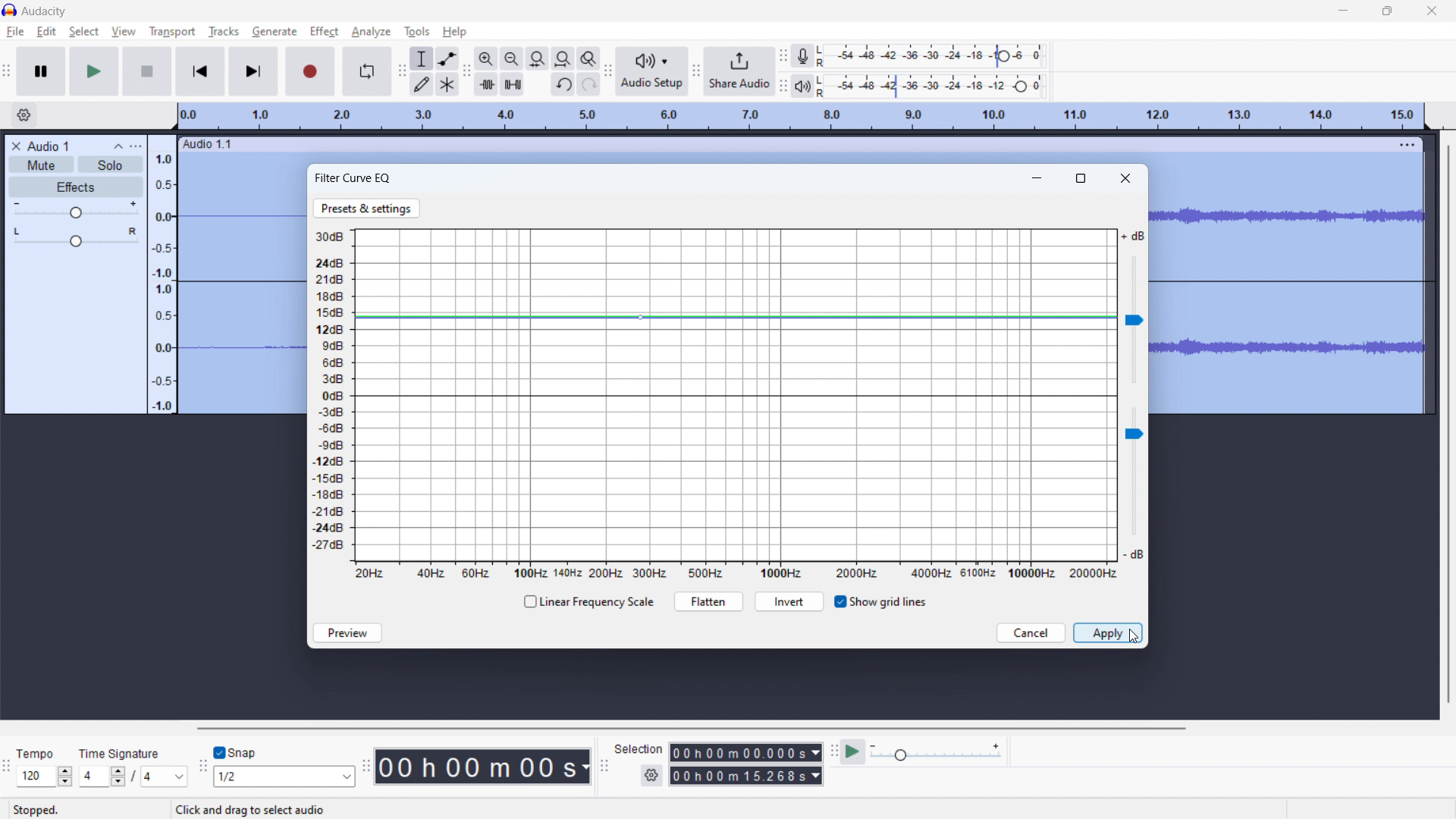 The height and width of the screenshot is (819, 1456). Describe the element at coordinates (338, 31) in the screenshot. I see `cursor` at that location.